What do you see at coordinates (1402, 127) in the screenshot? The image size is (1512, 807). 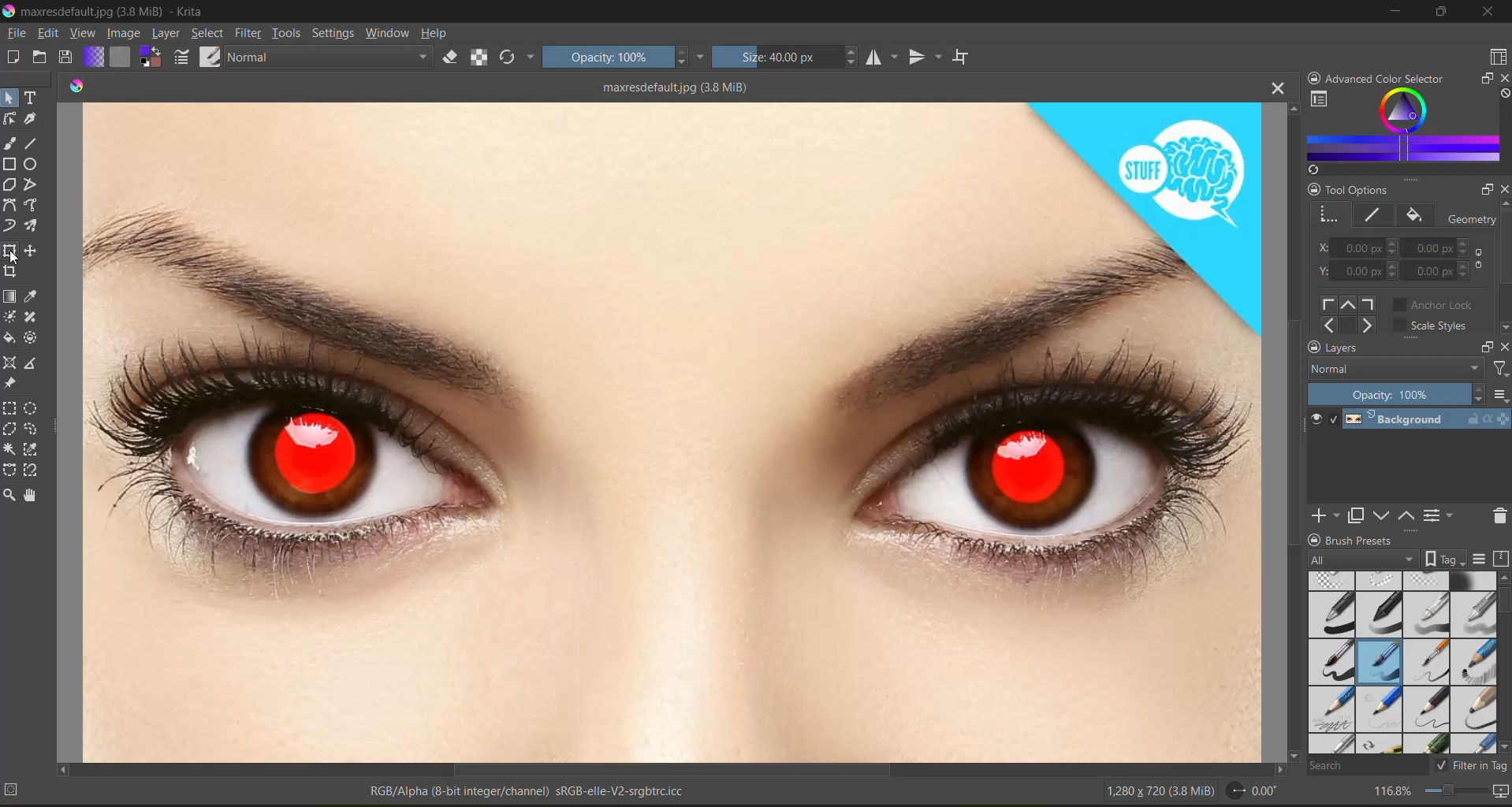 I see `advanced color selector` at bounding box center [1402, 127].